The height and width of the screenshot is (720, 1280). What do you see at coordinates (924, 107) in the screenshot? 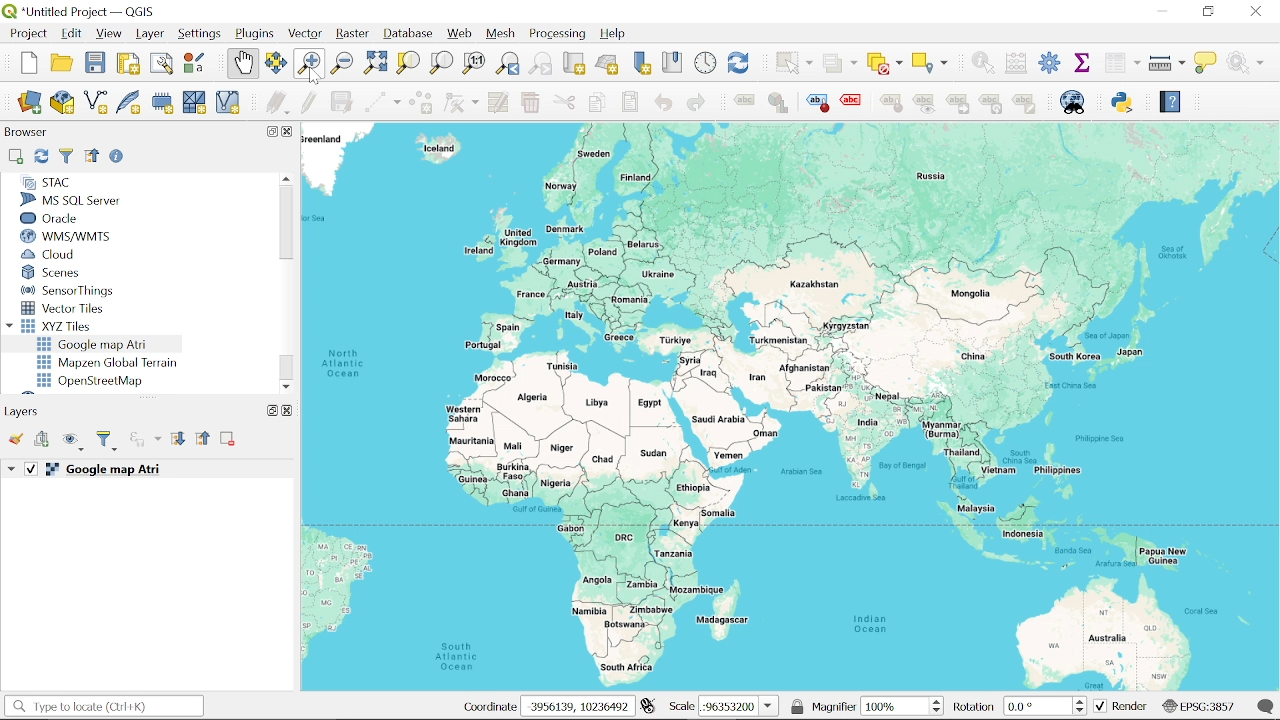
I see `Show/hide label and diagrams` at bounding box center [924, 107].